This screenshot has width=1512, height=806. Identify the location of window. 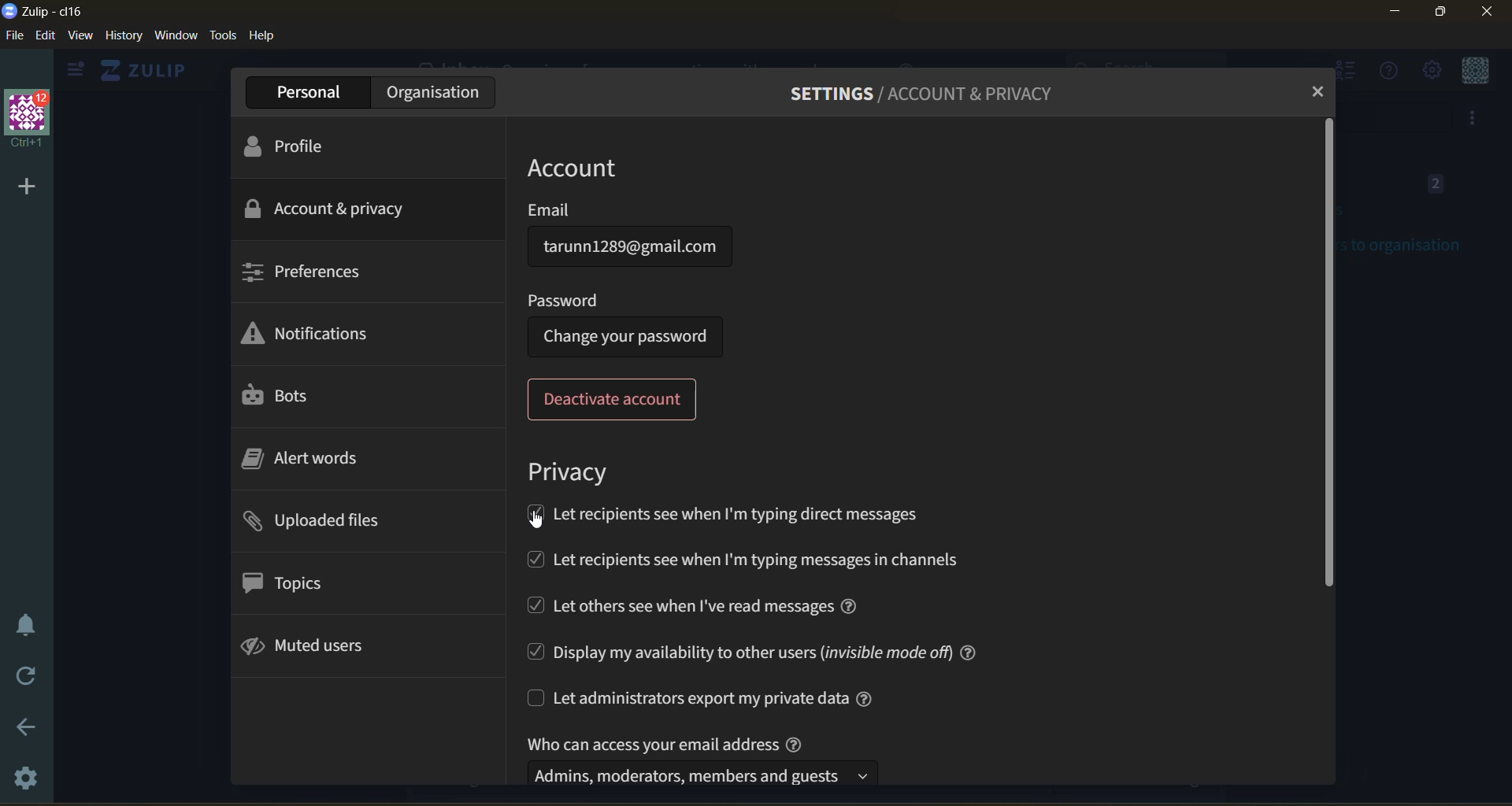
(175, 38).